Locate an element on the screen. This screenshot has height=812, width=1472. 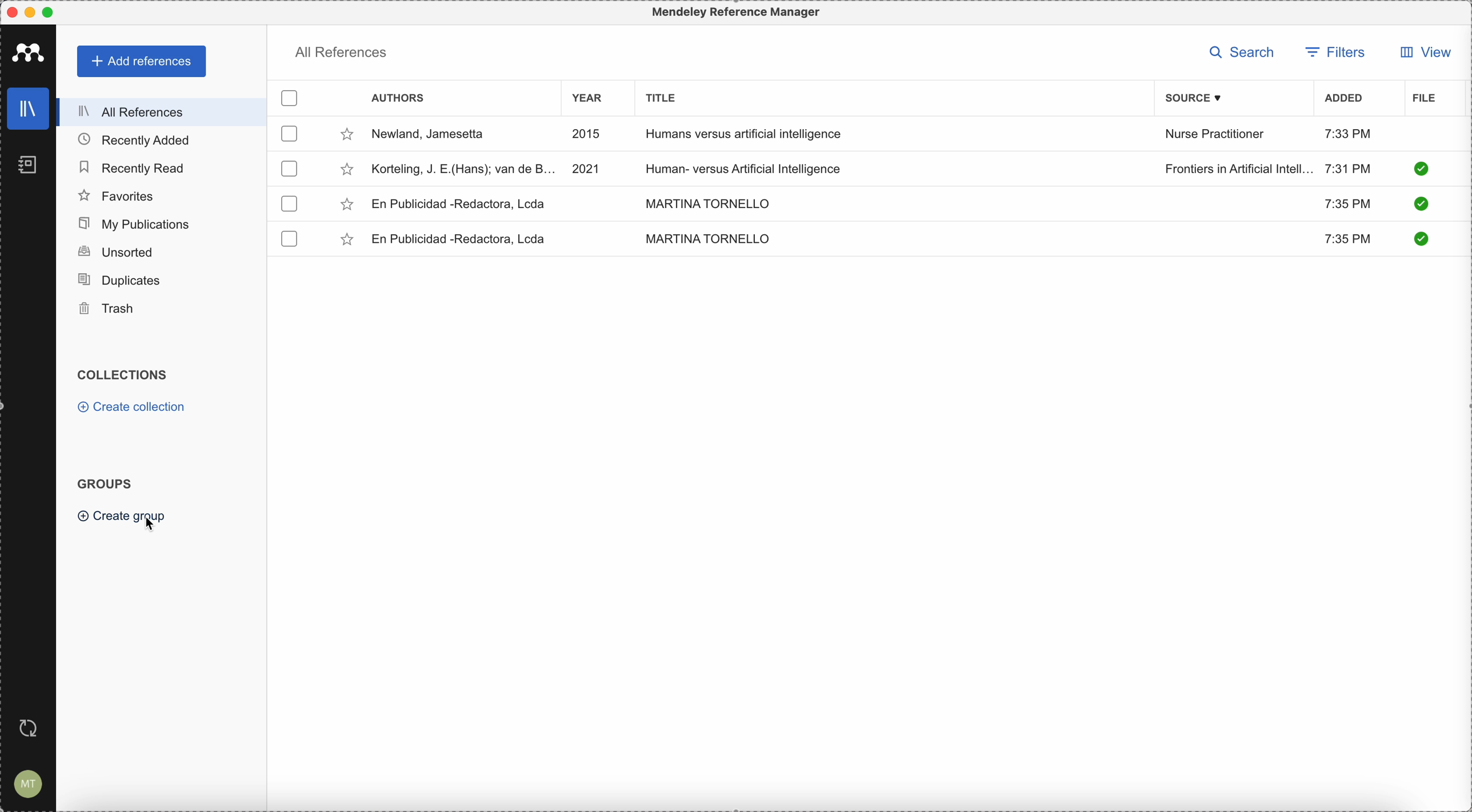
checkbox is located at coordinates (294, 99).